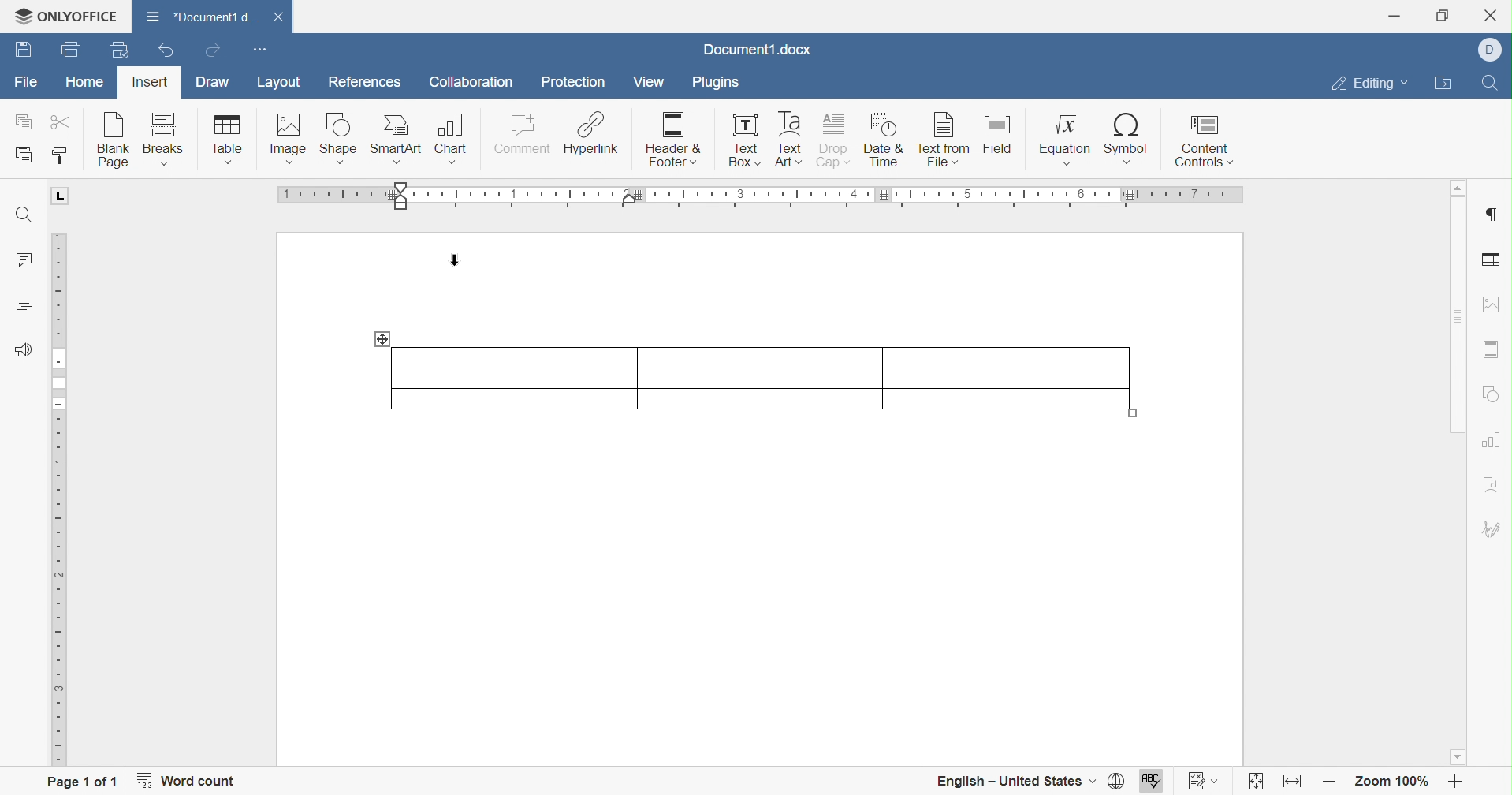 This screenshot has height=795, width=1512. Describe the element at coordinates (592, 135) in the screenshot. I see `Hyperlink` at that location.